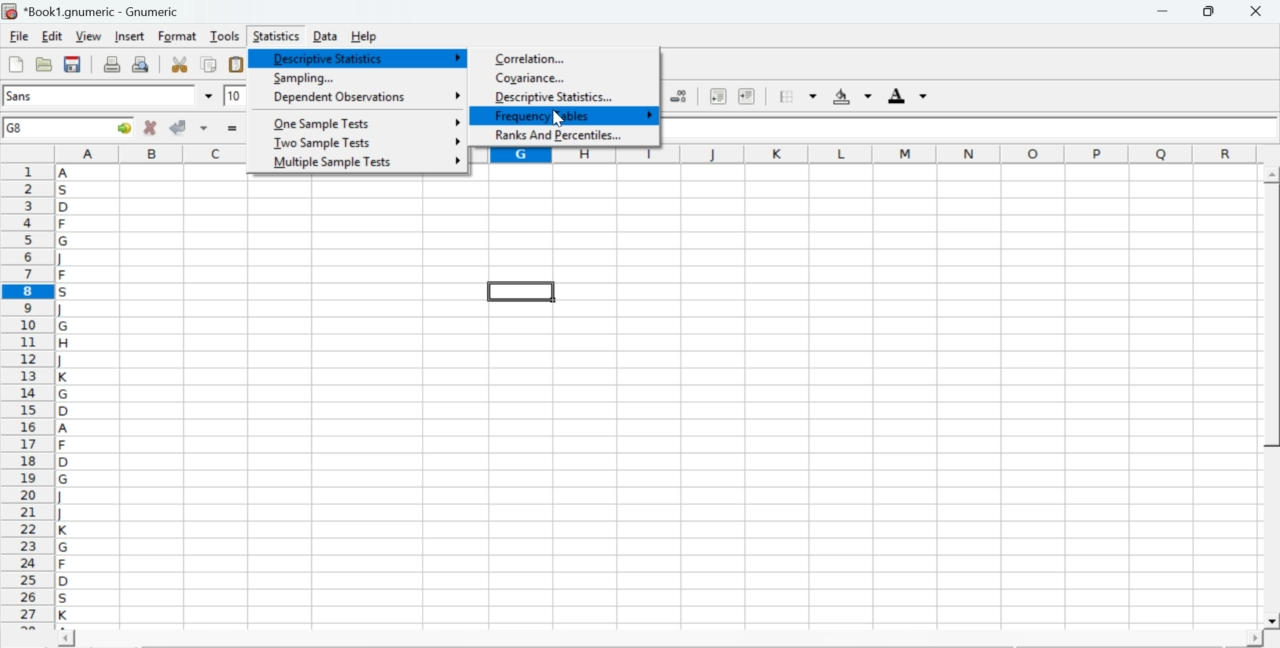 The width and height of the screenshot is (1280, 648). What do you see at coordinates (558, 120) in the screenshot?
I see `cursor` at bounding box center [558, 120].